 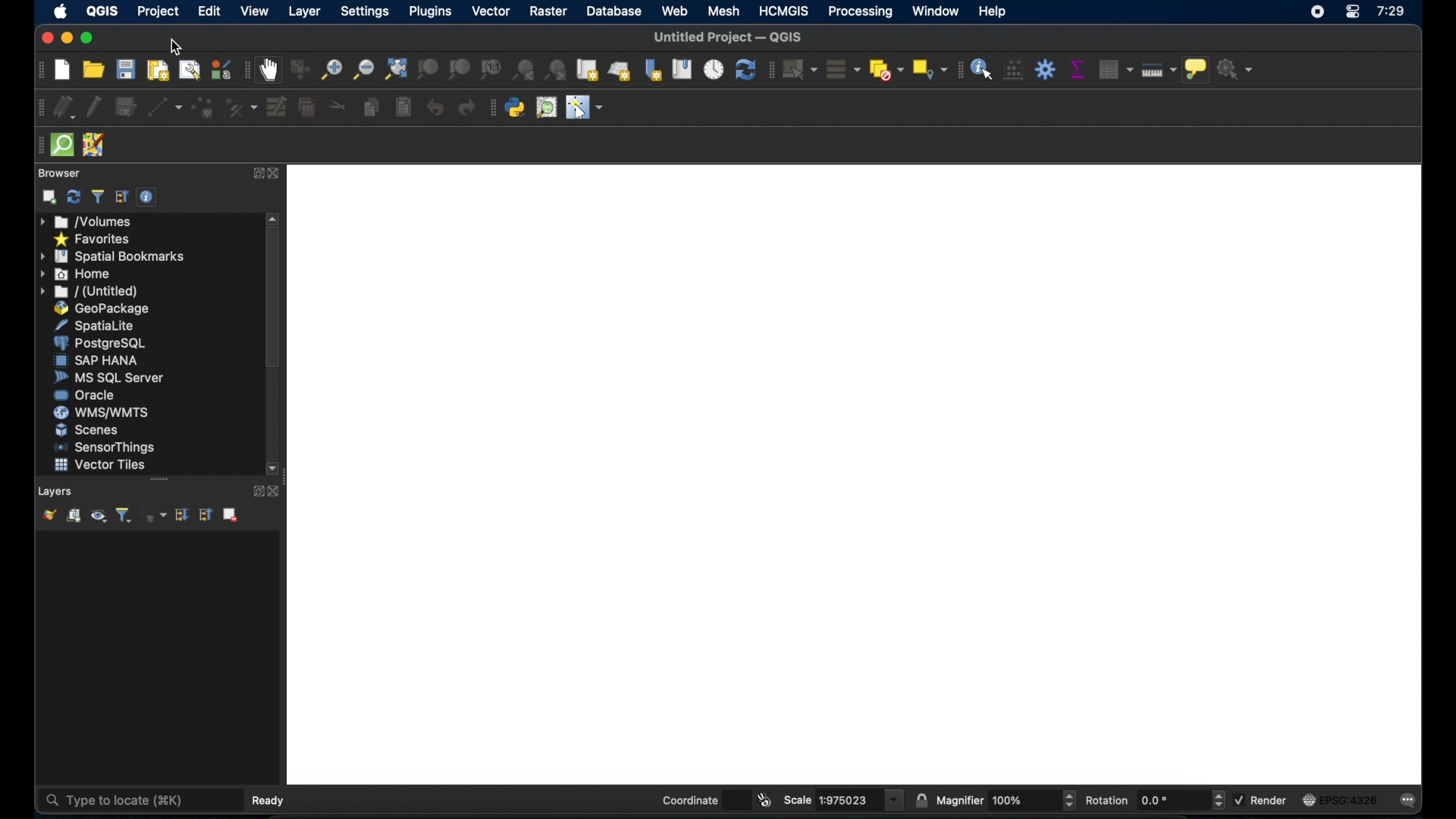 What do you see at coordinates (87, 292) in the screenshot?
I see `untitled` at bounding box center [87, 292].